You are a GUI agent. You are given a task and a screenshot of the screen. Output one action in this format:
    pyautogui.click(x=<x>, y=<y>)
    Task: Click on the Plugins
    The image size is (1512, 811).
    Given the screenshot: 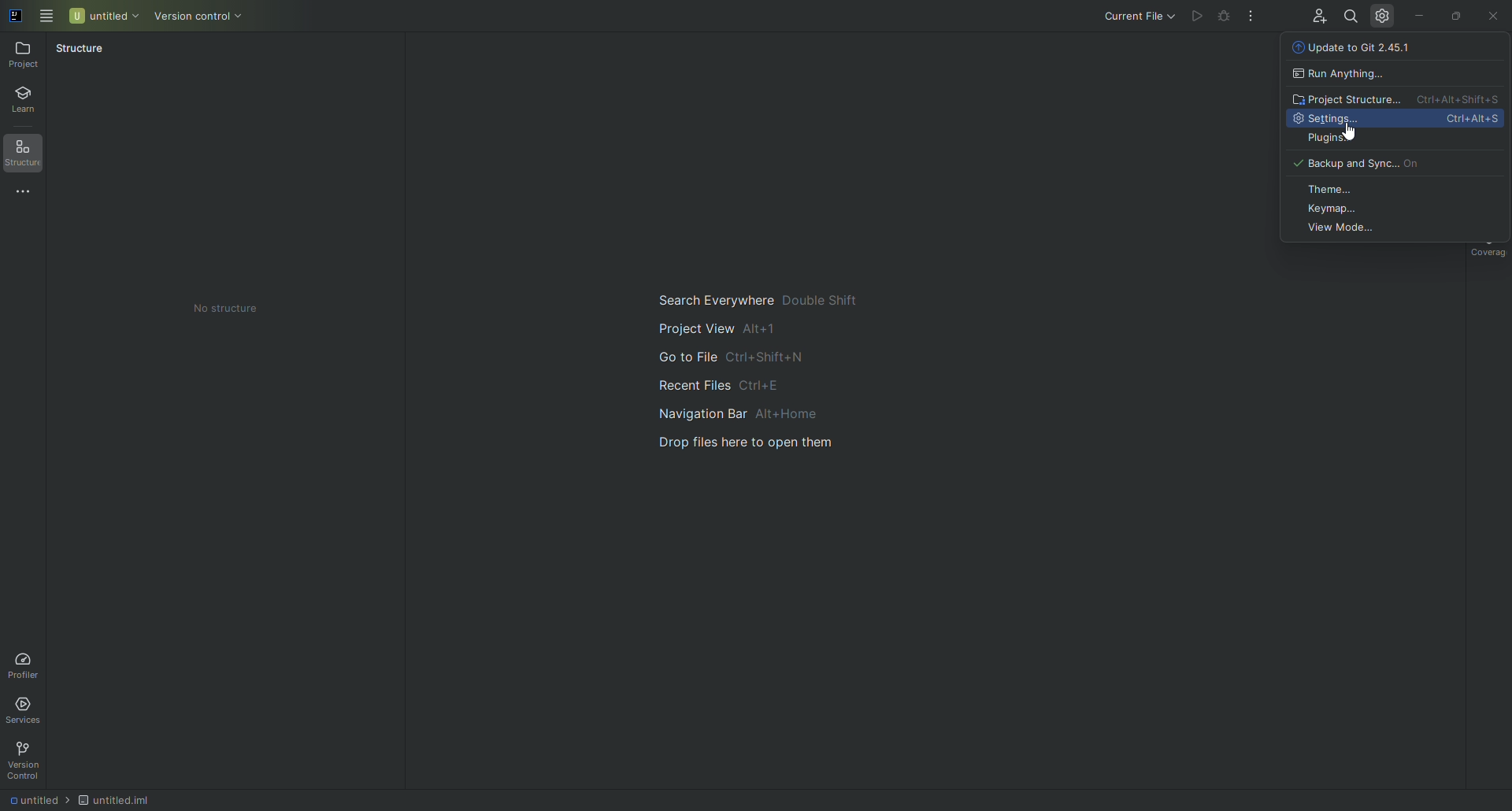 What is the action you would take?
    pyautogui.click(x=1329, y=139)
    